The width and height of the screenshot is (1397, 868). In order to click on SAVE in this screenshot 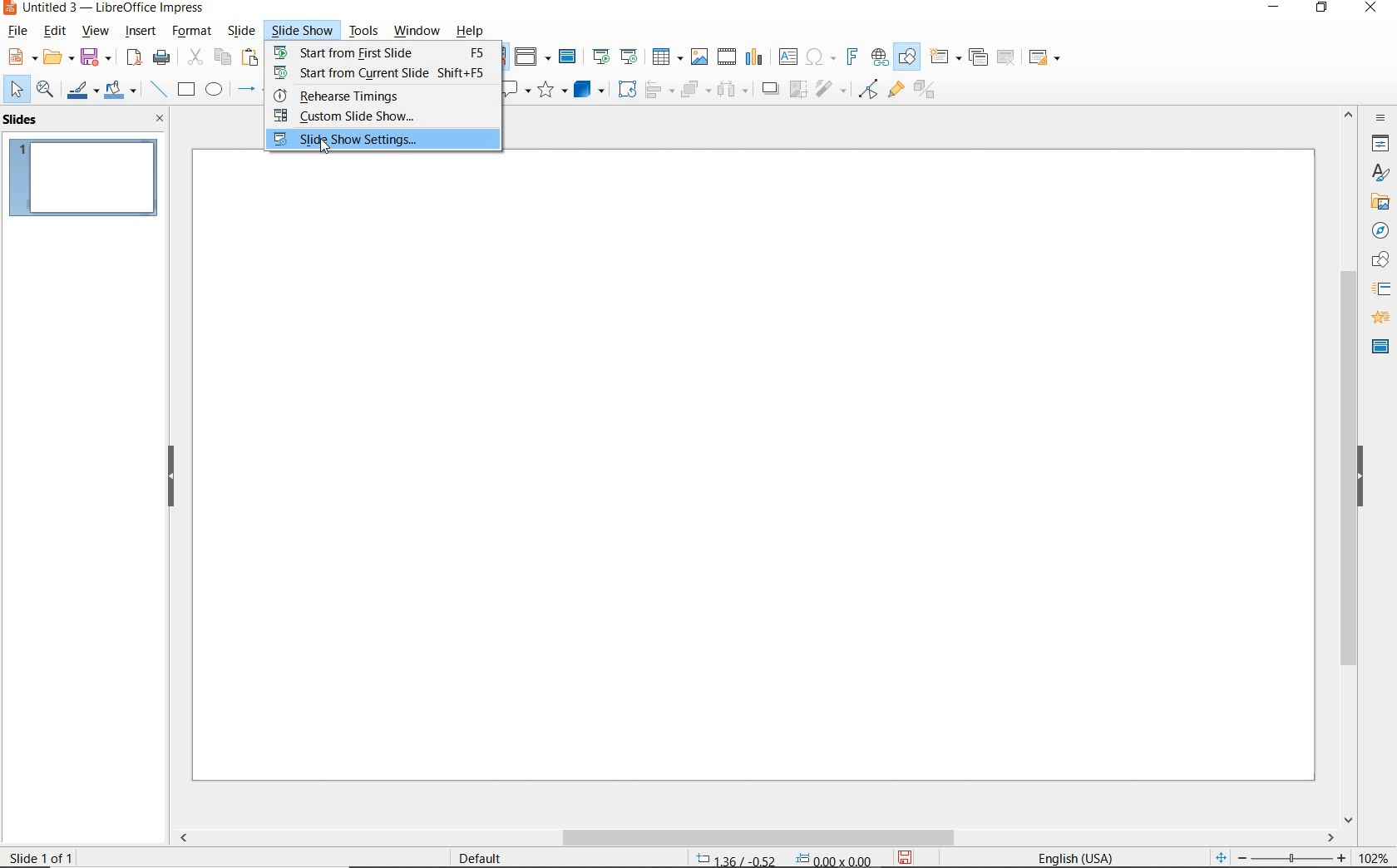, I will do `click(98, 57)`.